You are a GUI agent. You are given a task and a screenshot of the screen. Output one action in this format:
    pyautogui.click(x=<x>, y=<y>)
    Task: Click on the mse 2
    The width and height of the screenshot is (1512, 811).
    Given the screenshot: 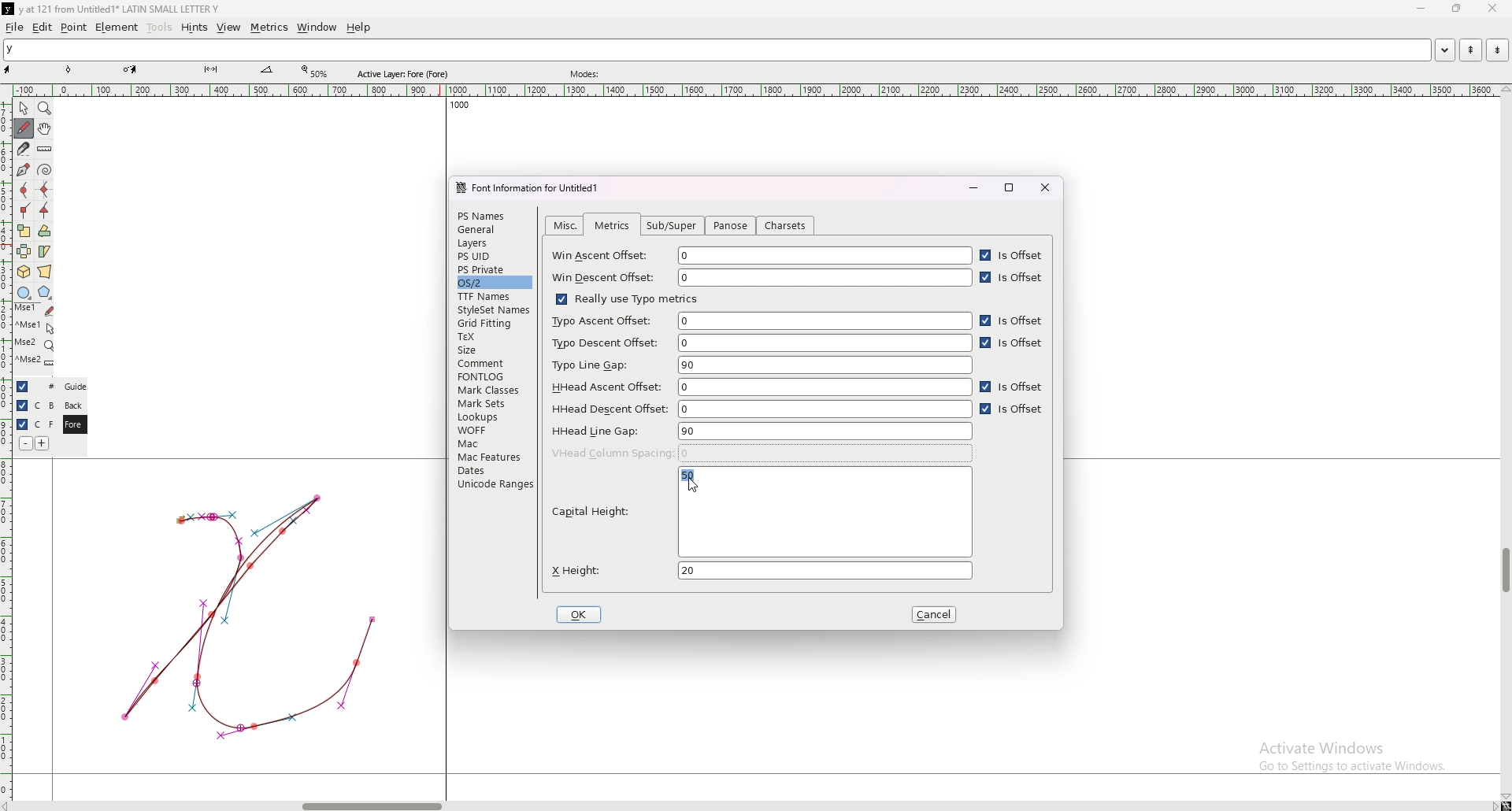 What is the action you would take?
    pyautogui.click(x=34, y=344)
    